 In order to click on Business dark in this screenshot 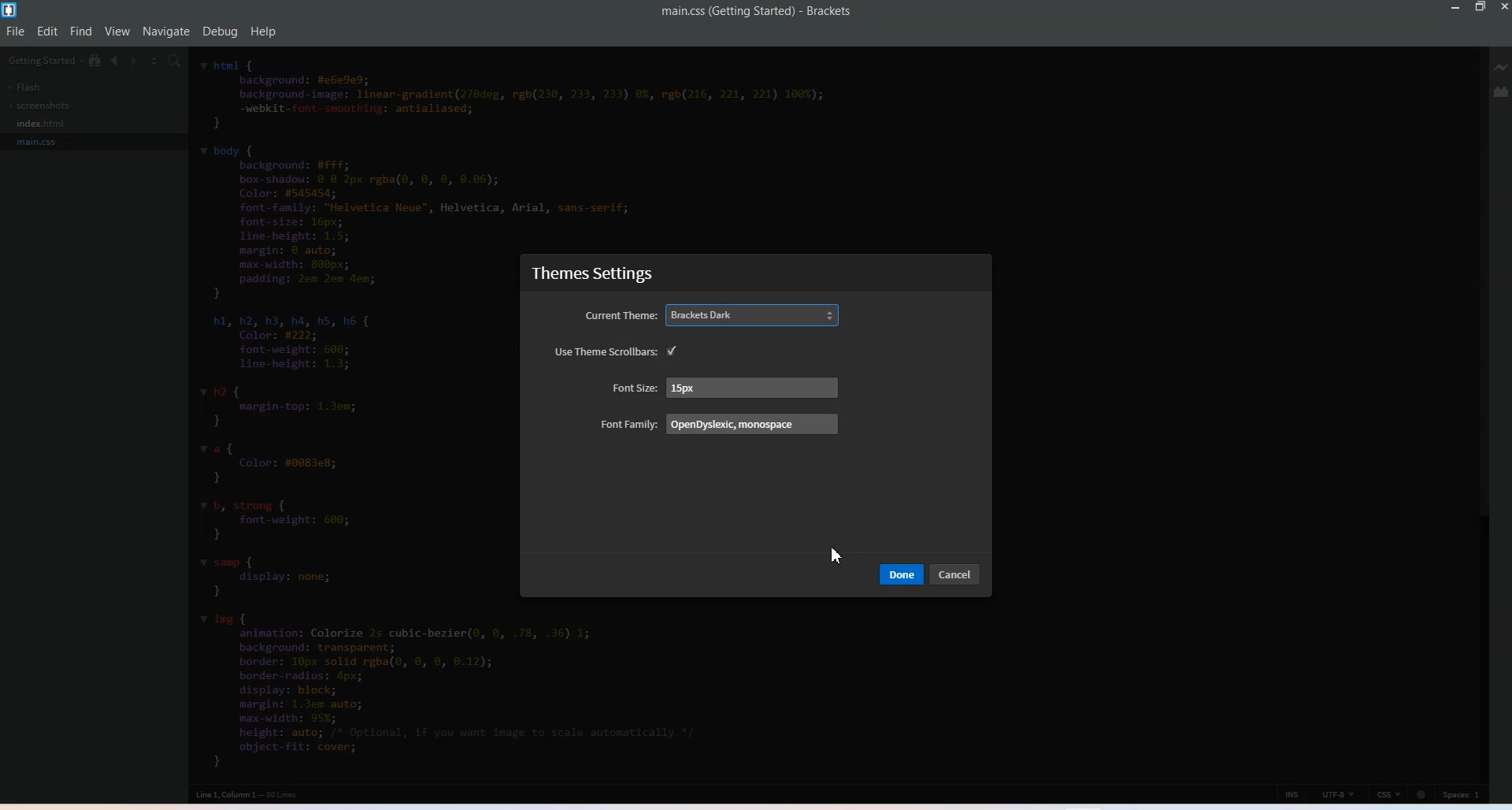, I will do `click(754, 317)`.